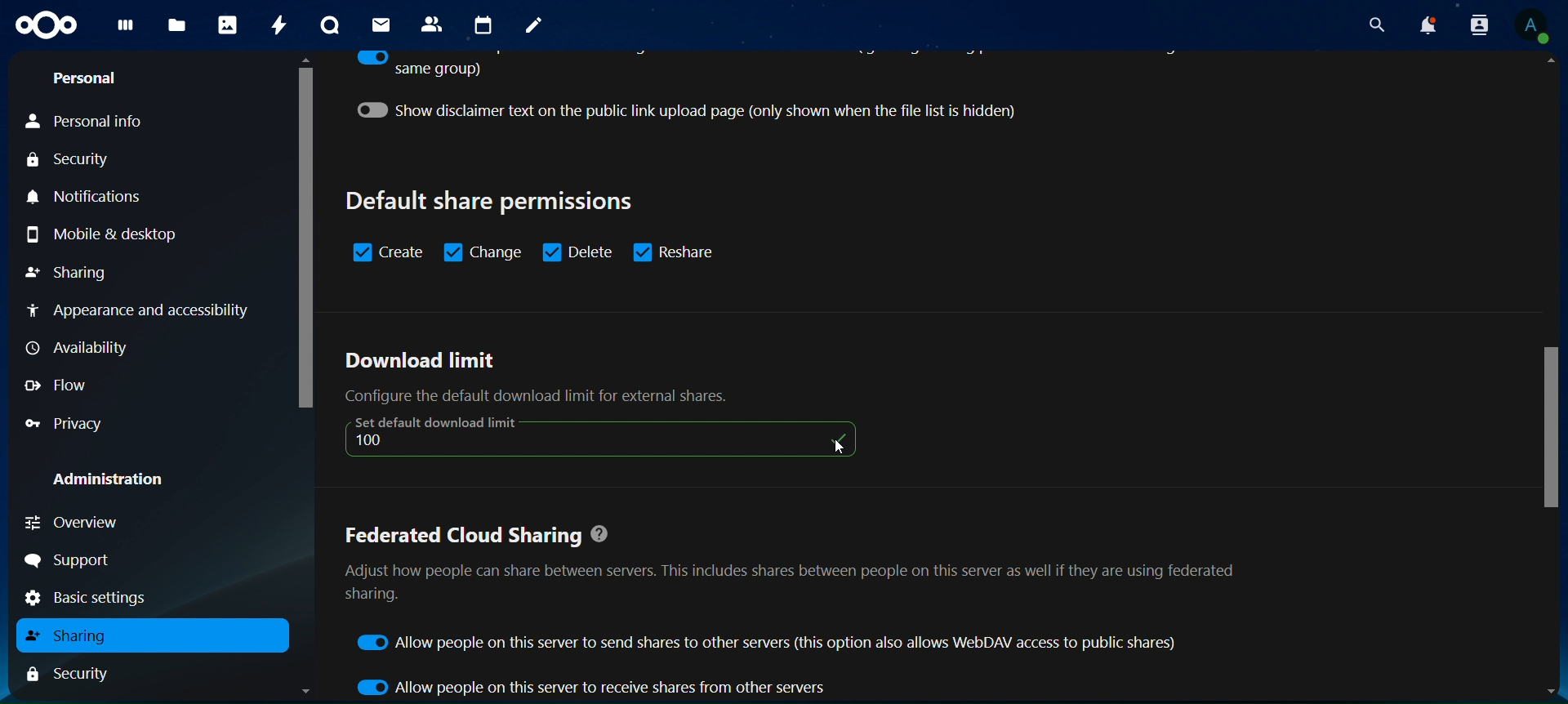 The width and height of the screenshot is (1568, 704). Describe the element at coordinates (49, 27) in the screenshot. I see `Icon` at that location.